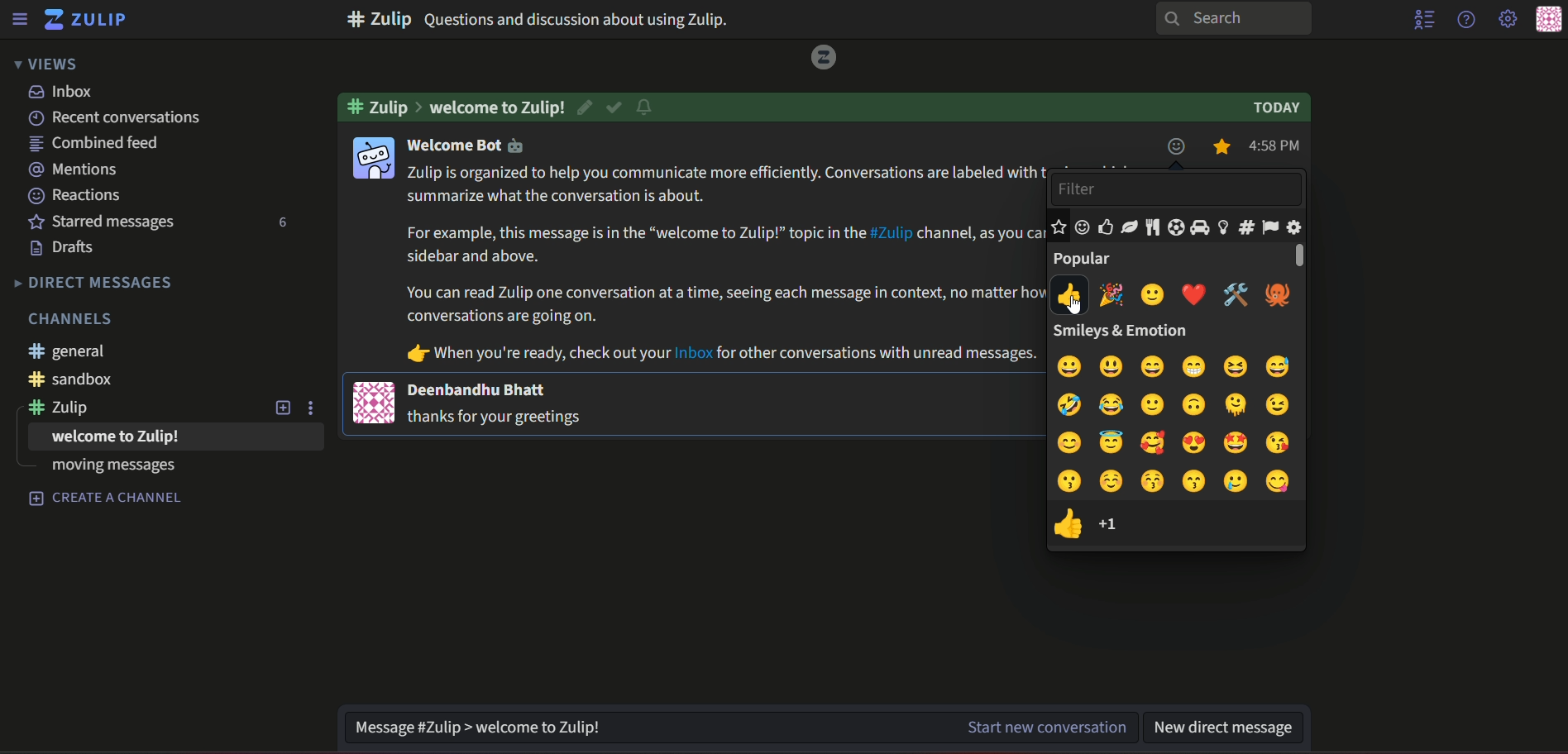 This screenshot has width=1568, height=754. What do you see at coordinates (106, 499) in the screenshot?
I see `Create a channel` at bounding box center [106, 499].